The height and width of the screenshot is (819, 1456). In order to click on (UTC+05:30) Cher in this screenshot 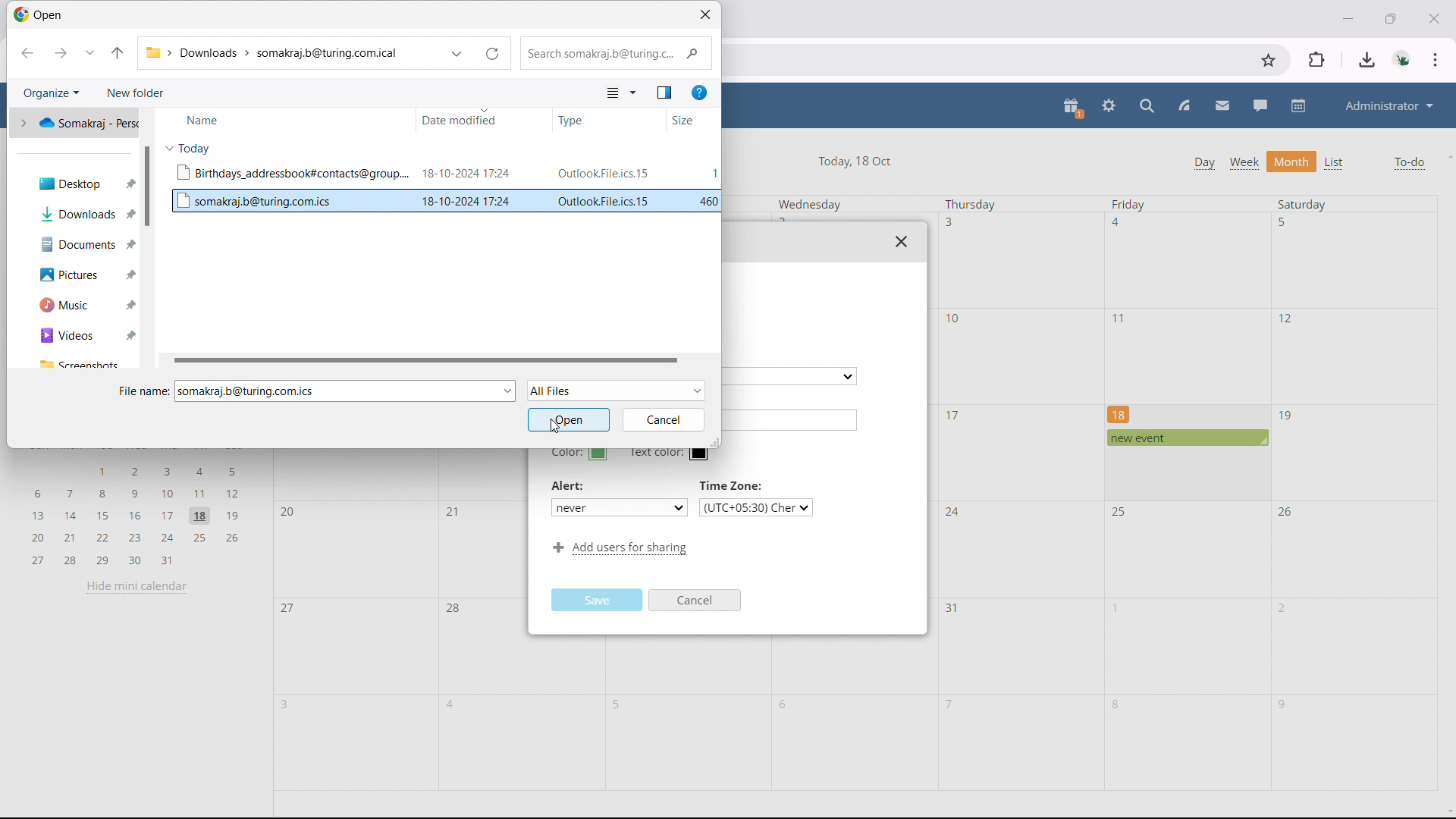, I will do `click(756, 507)`.